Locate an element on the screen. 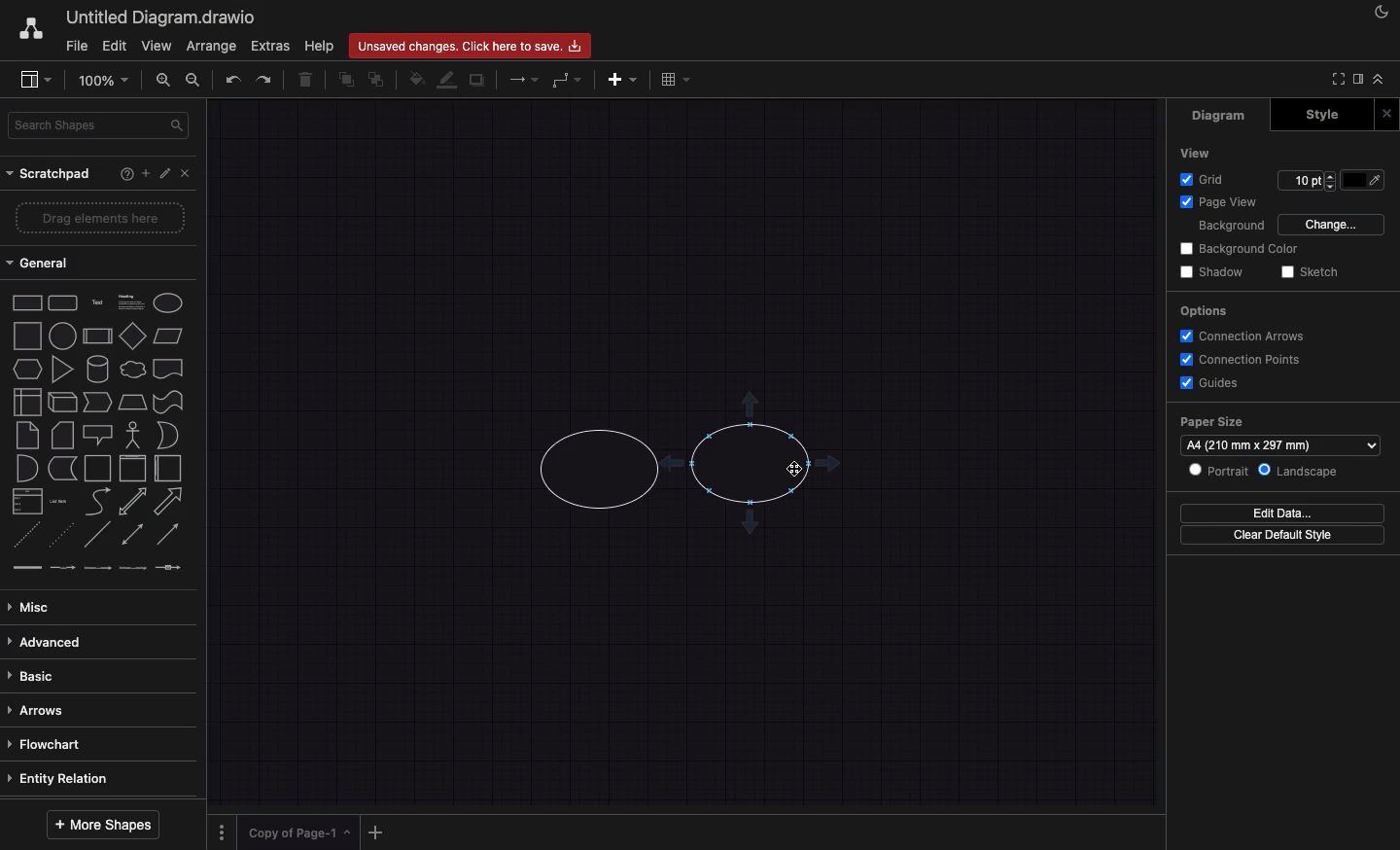 The width and height of the screenshot is (1400, 850). line color is located at coordinates (445, 79).